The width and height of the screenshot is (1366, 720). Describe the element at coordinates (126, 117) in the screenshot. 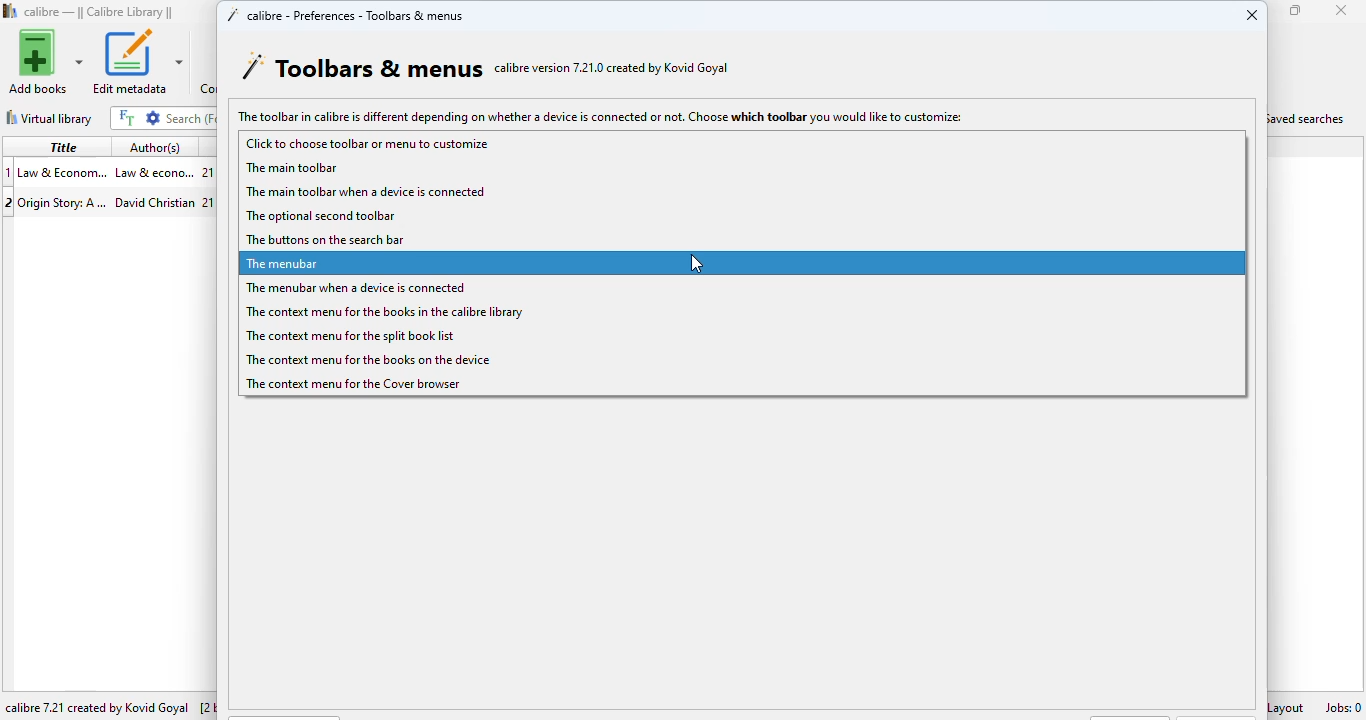

I see `full text search` at that location.